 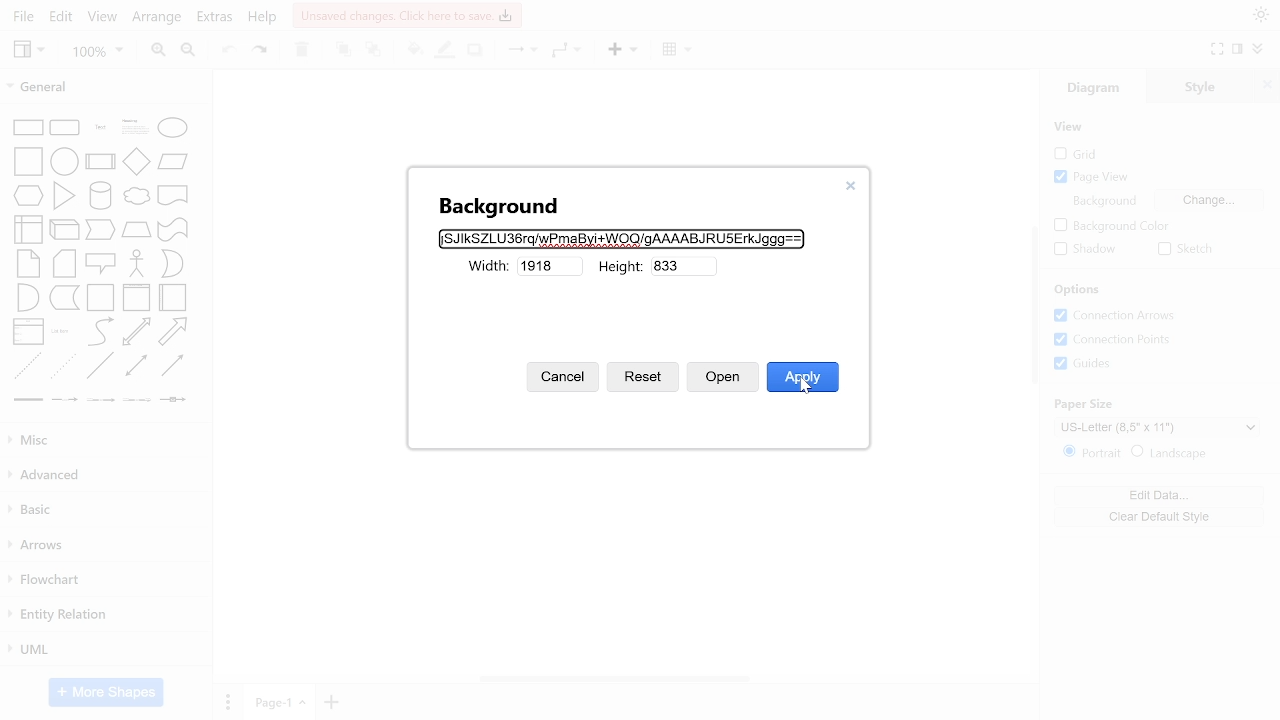 I want to click on general shapes, so click(x=134, y=332).